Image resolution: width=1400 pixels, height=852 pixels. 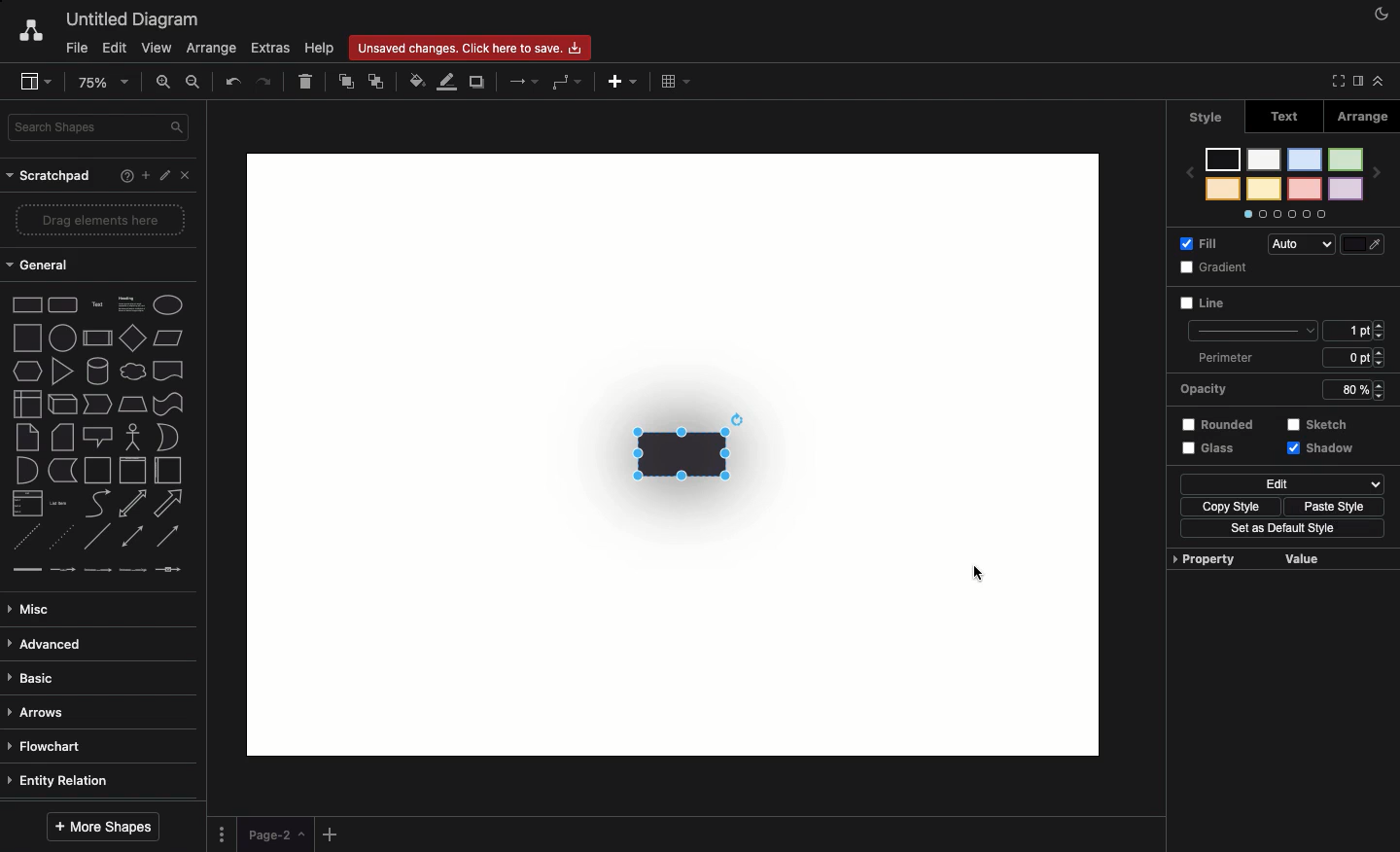 I want to click on Sidebar, so click(x=1354, y=83).